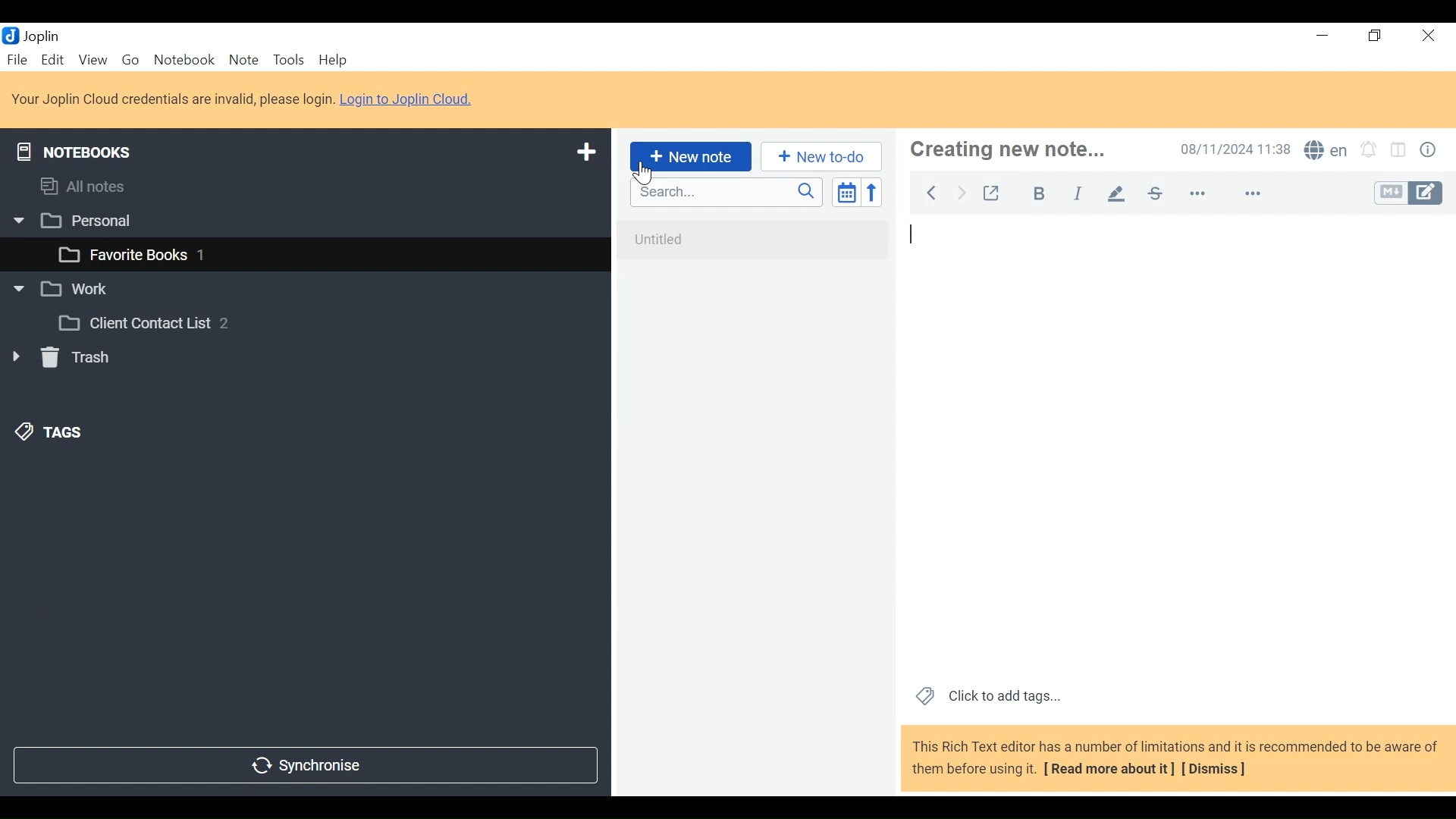 Image resolution: width=1456 pixels, height=819 pixels. What do you see at coordinates (964, 193) in the screenshot?
I see `Back` at bounding box center [964, 193].